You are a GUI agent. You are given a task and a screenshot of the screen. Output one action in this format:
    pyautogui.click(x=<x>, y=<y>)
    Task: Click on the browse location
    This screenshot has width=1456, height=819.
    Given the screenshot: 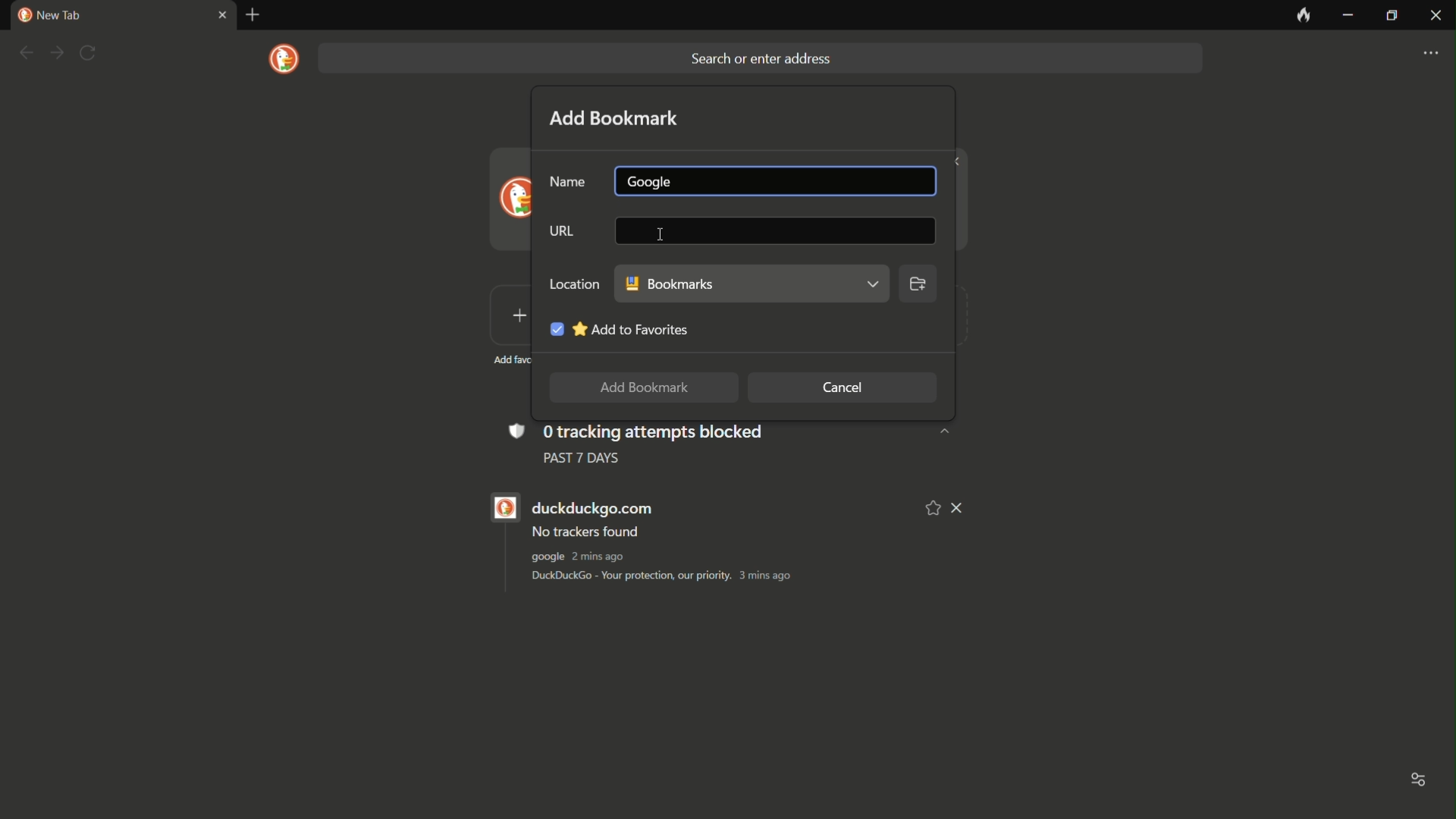 What is the action you would take?
    pyautogui.click(x=918, y=287)
    